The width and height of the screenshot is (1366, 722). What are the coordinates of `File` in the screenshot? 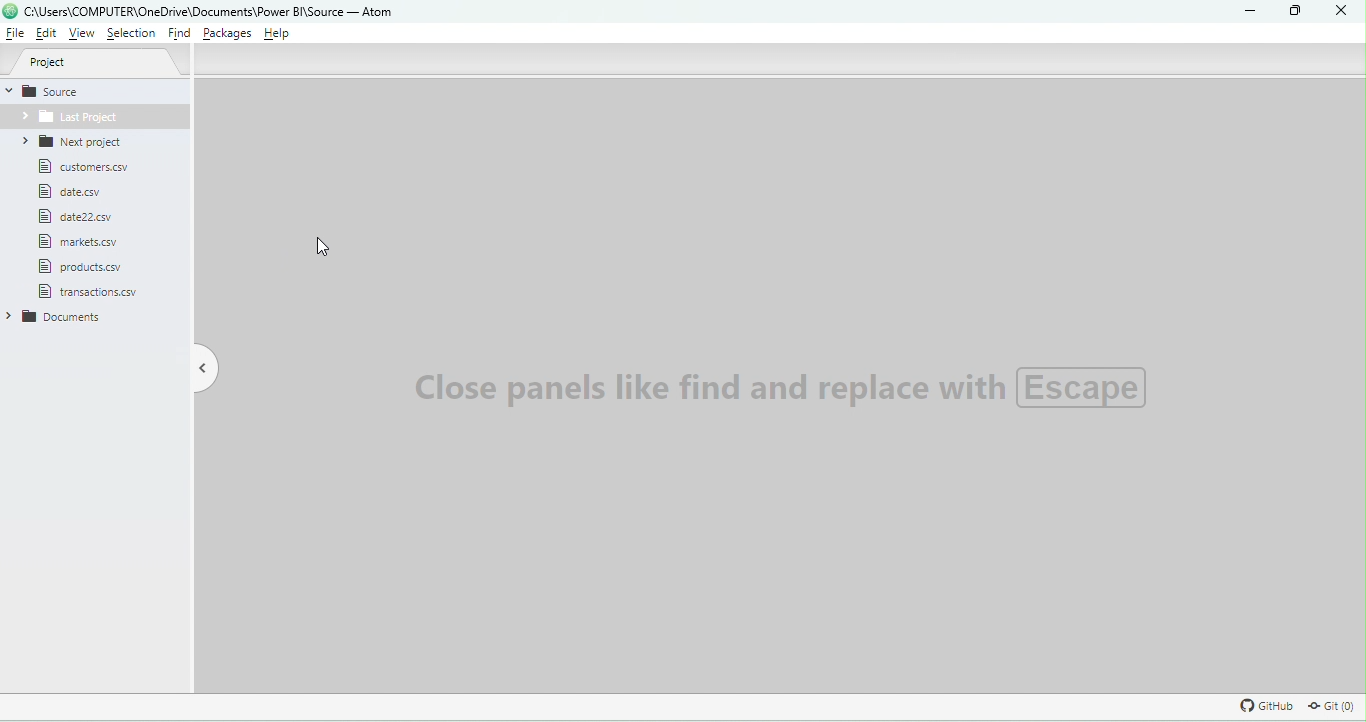 It's located at (87, 192).